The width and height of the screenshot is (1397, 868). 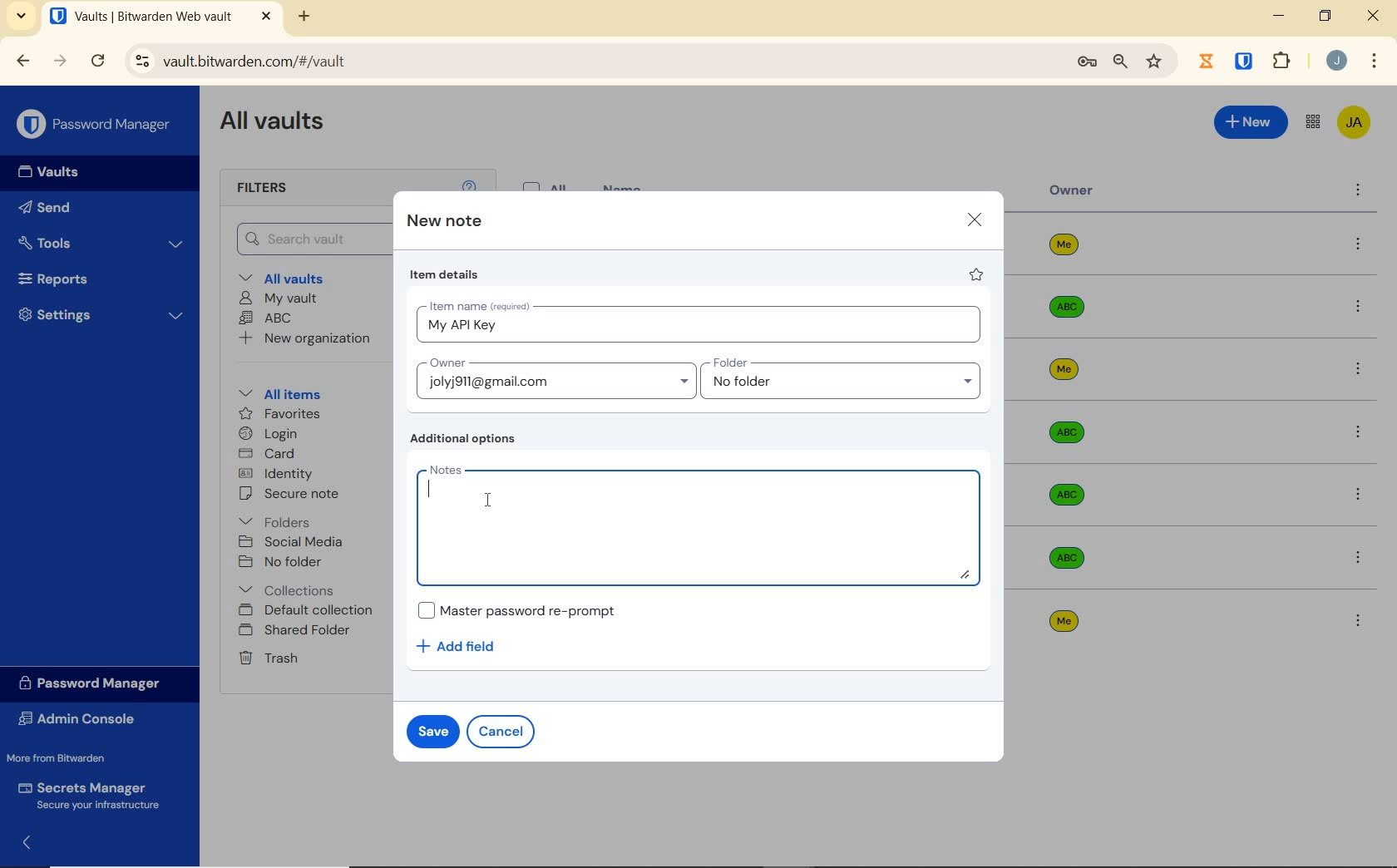 What do you see at coordinates (1250, 122) in the screenshot?
I see `New` at bounding box center [1250, 122].